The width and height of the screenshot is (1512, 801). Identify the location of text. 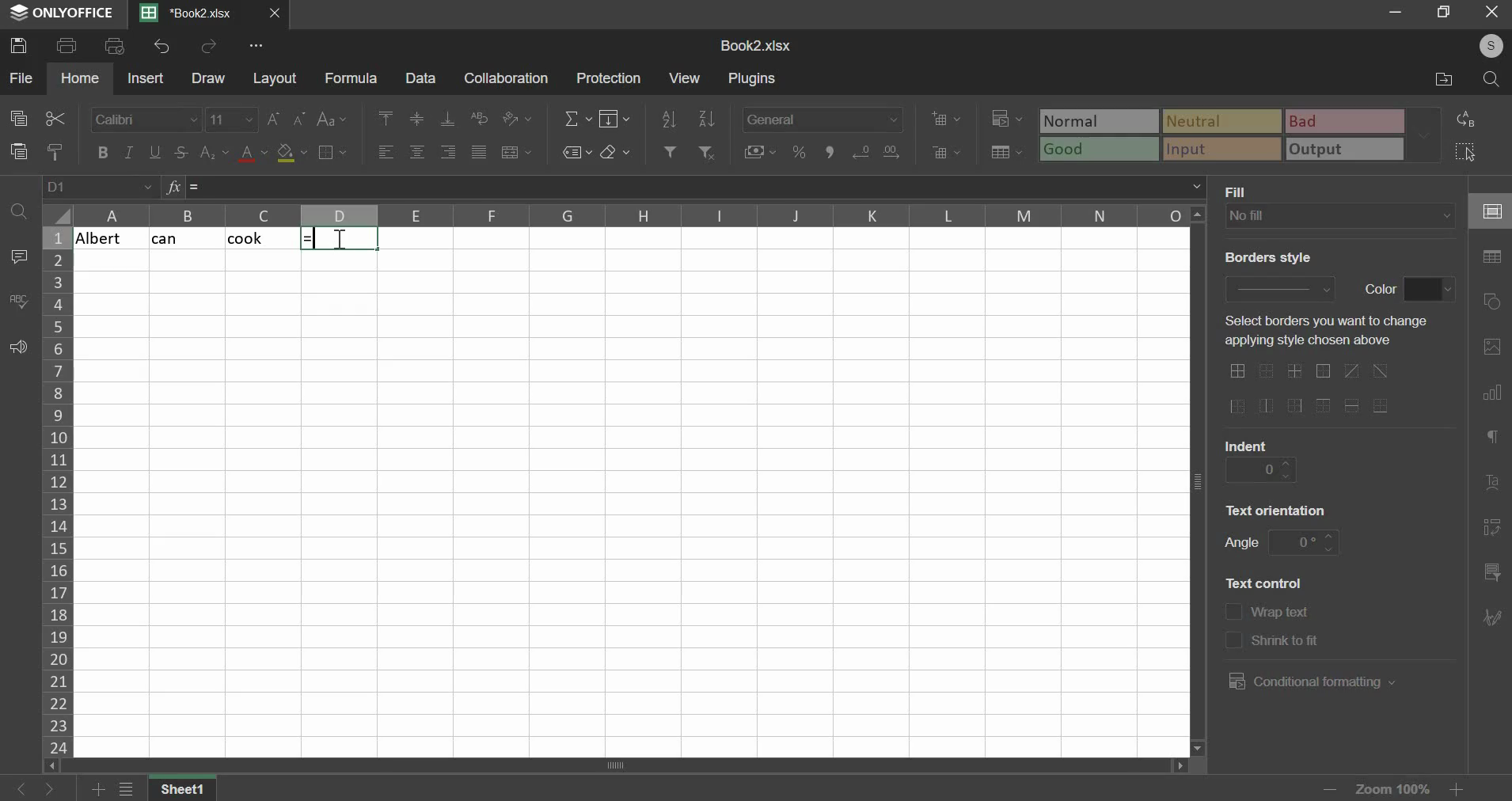
(1283, 614).